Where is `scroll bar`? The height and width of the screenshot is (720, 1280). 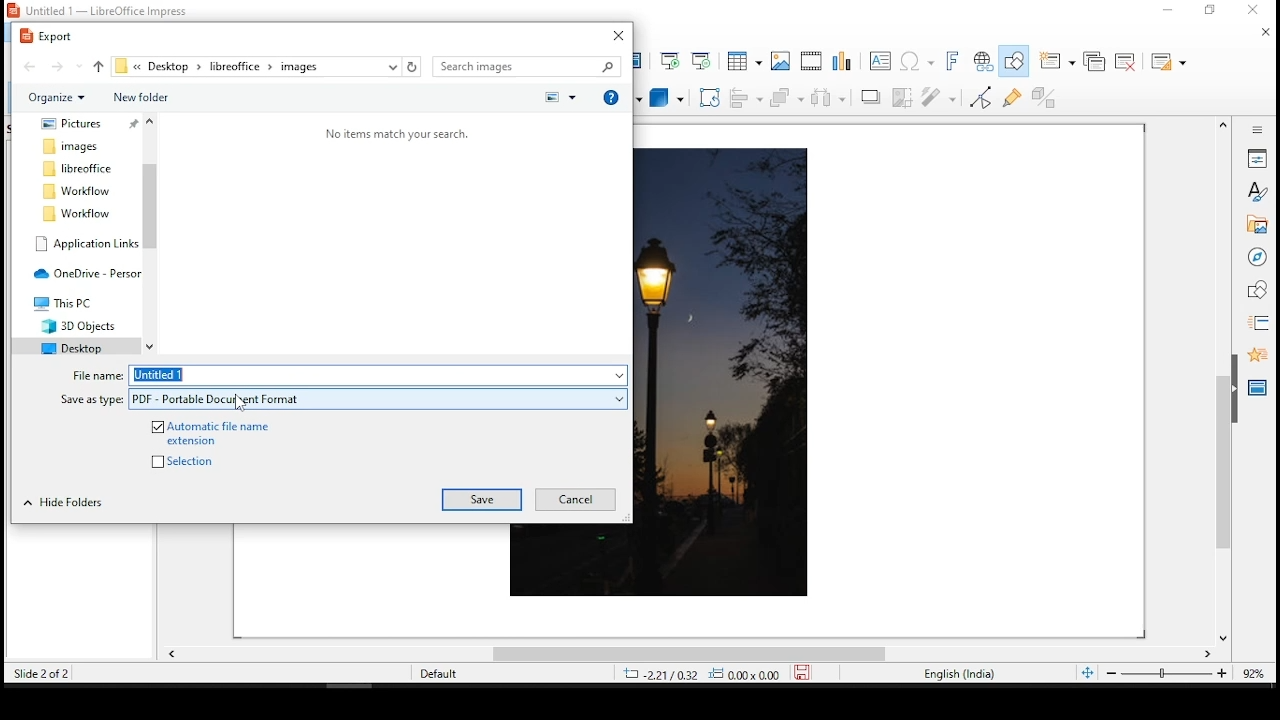 scroll bar is located at coordinates (686, 657).